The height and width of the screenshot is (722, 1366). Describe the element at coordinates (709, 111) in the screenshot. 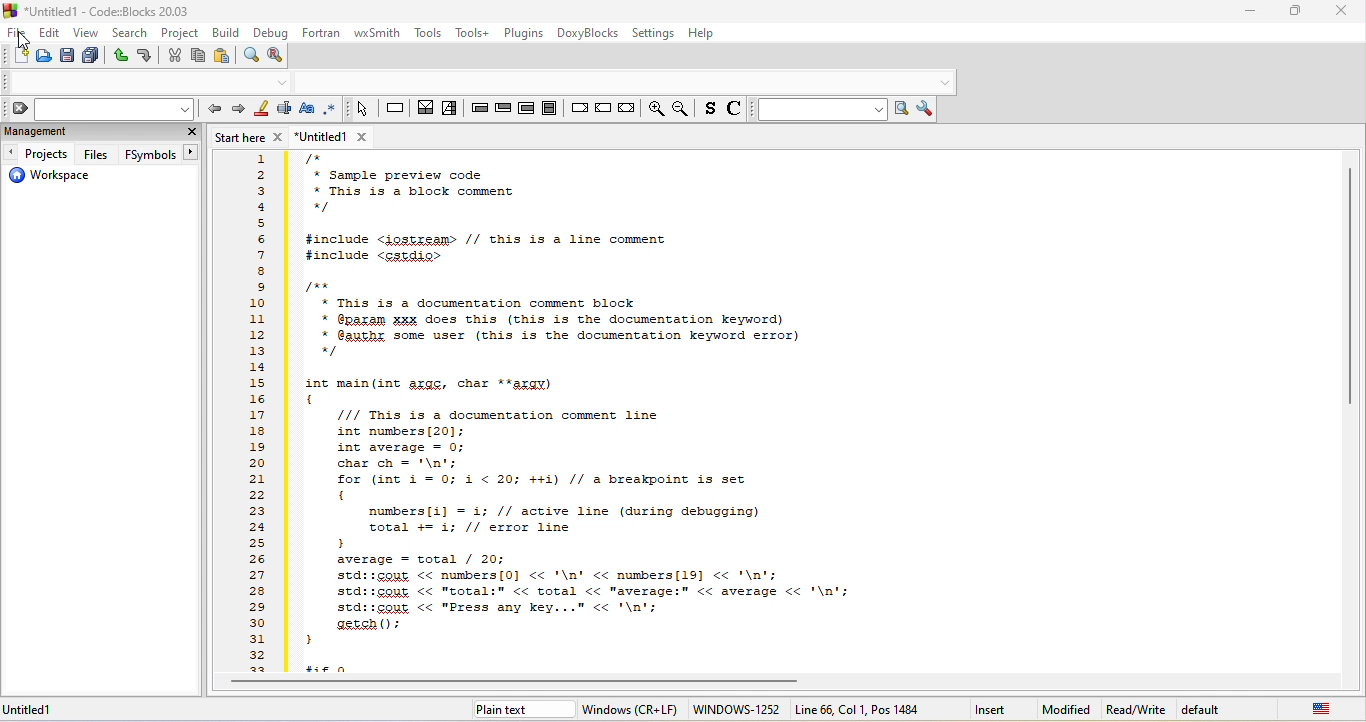

I see `toggle source` at that location.